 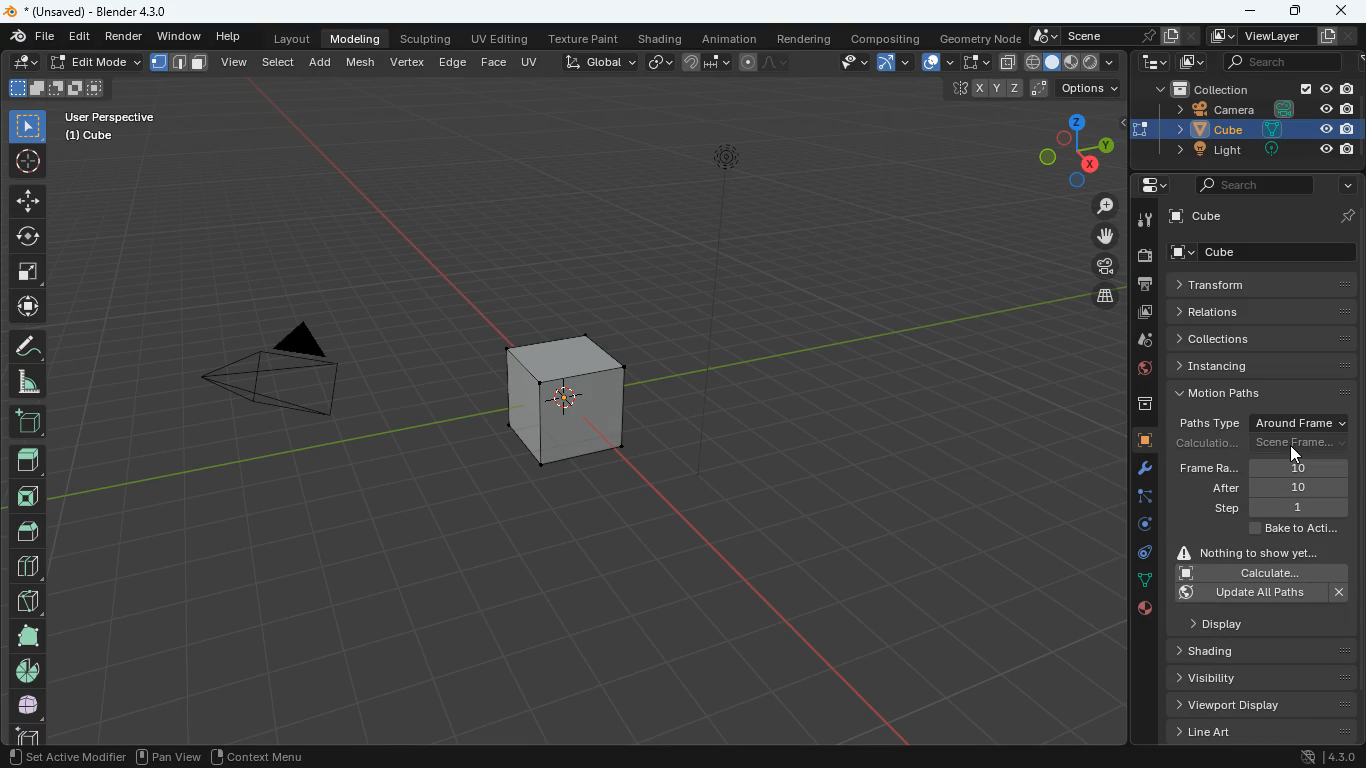 What do you see at coordinates (1187, 63) in the screenshot?
I see `image` at bounding box center [1187, 63].